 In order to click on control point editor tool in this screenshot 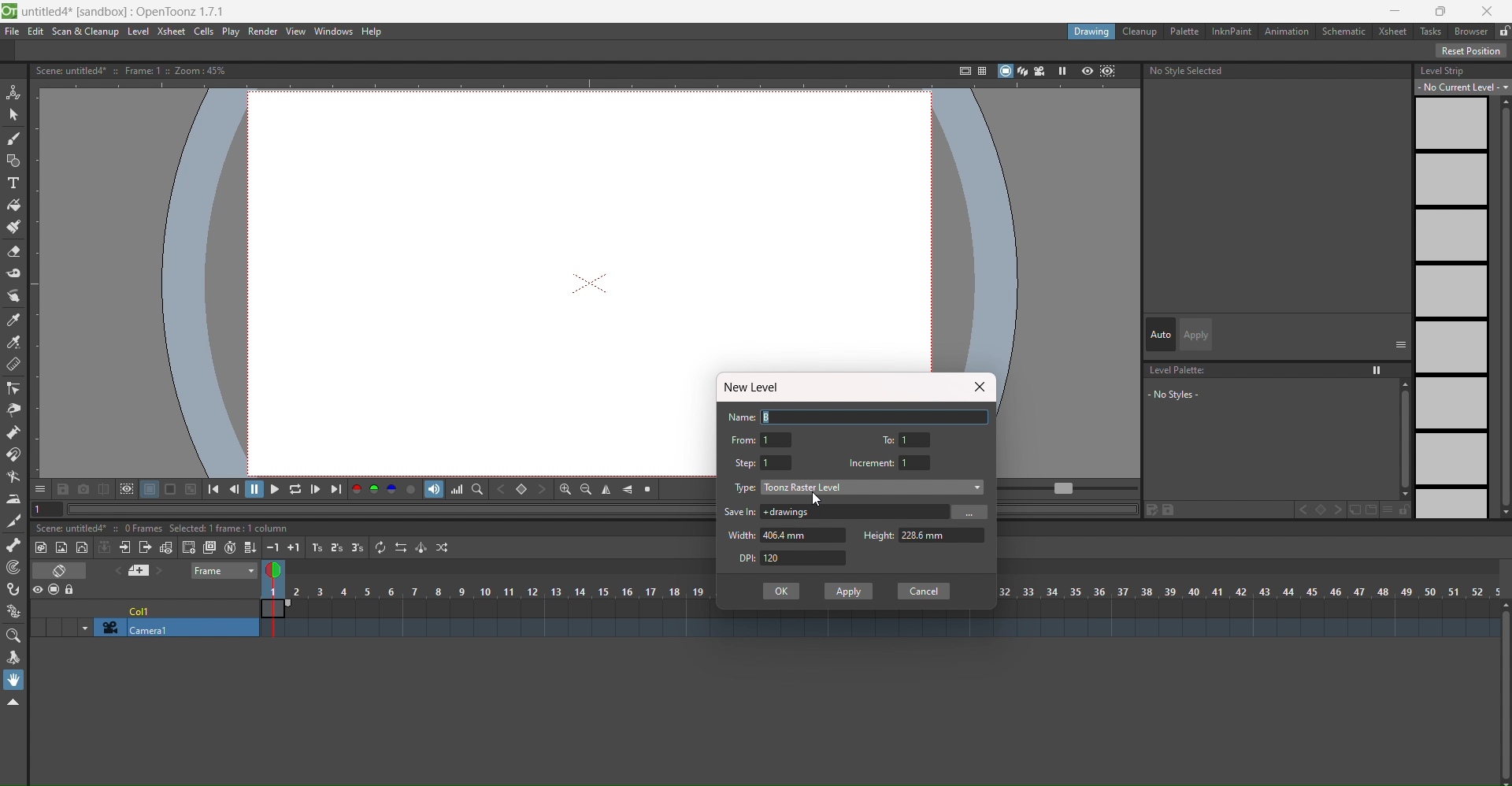, I will do `click(13, 388)`.